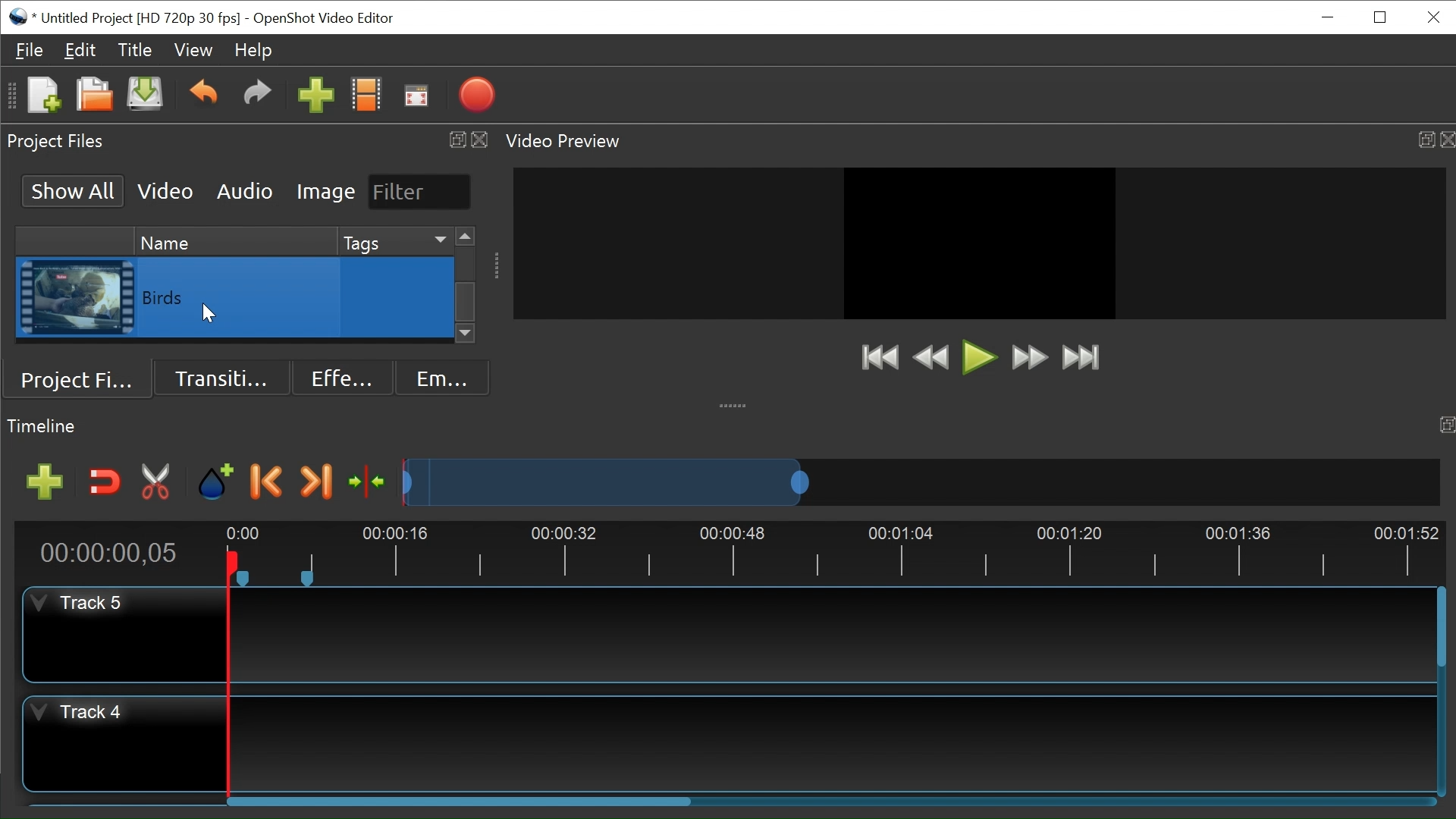 The height and width of the screenshot is (819, 1456). I want to click on Next Marker, so click(316, 482).